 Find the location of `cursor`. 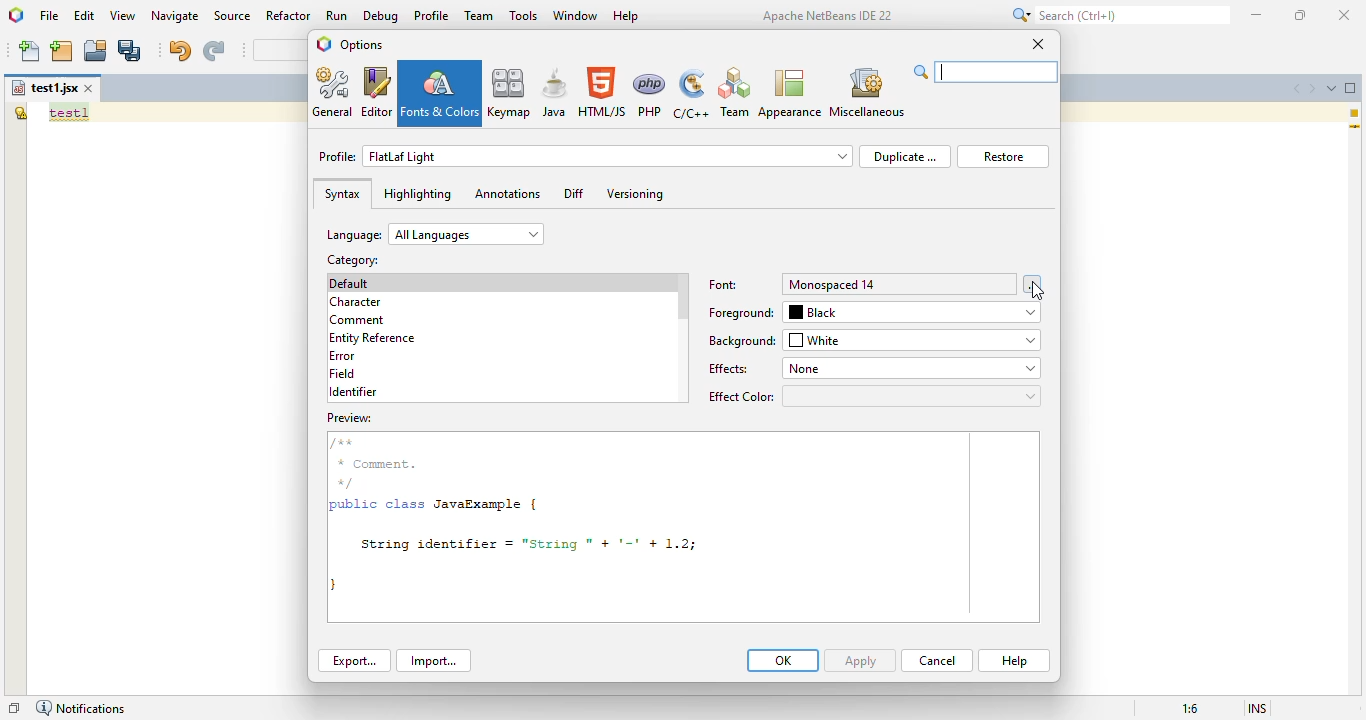

cursor is located at coordinates (1037, 292).